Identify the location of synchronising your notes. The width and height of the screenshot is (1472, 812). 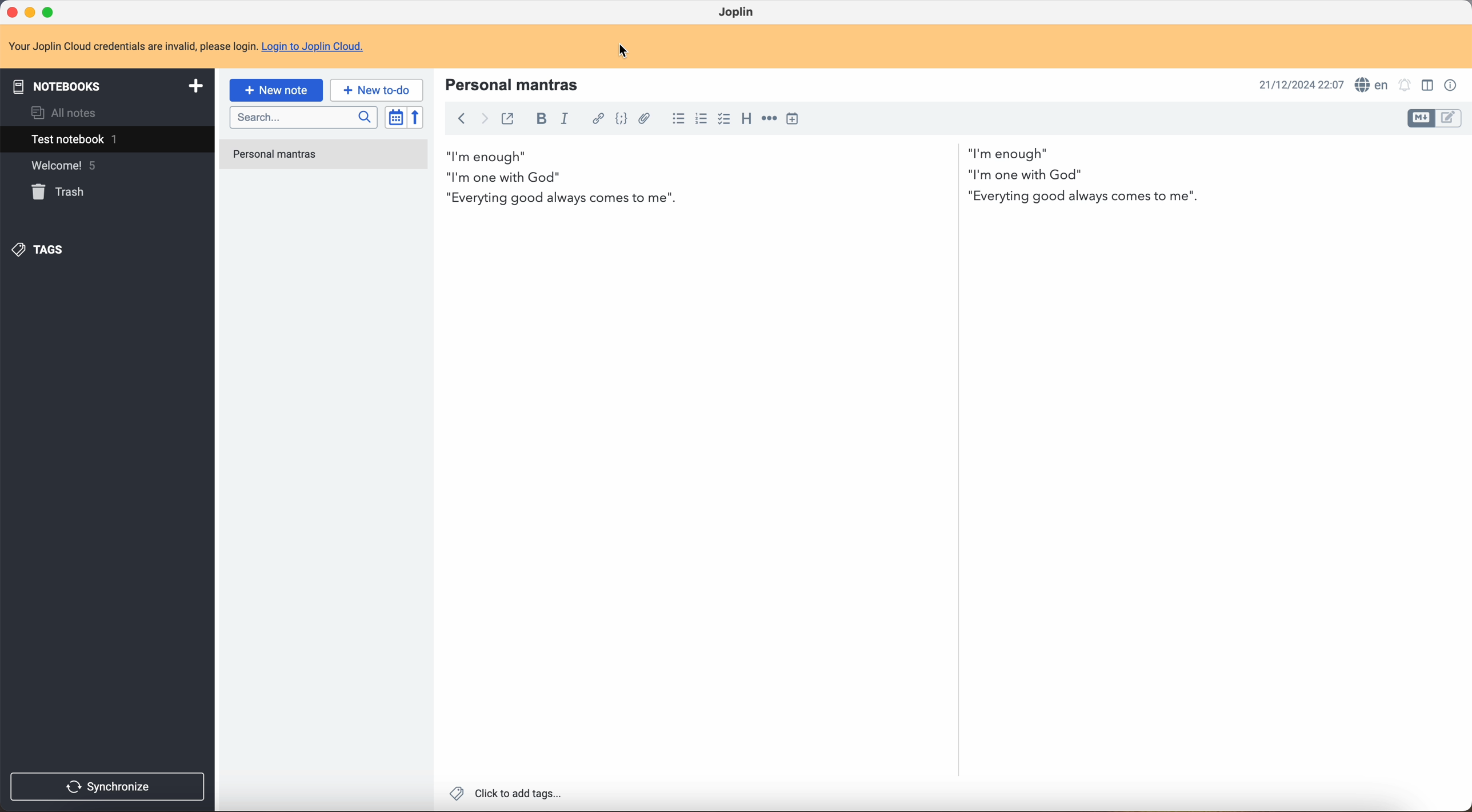
(299, 213).